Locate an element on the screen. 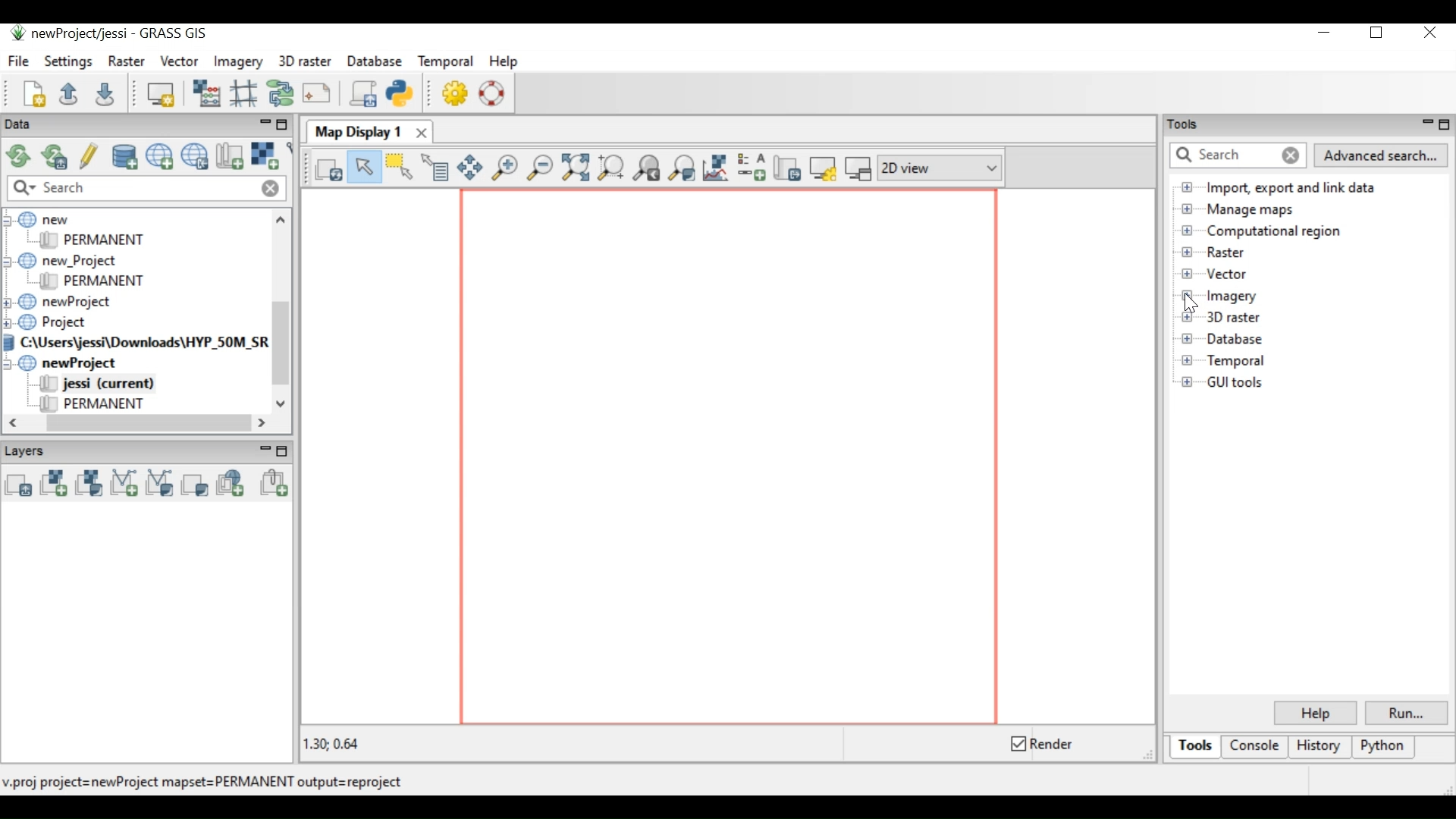 This screenshot has width=1456, height=819. Import raster data is located at coordinates (266, 157).